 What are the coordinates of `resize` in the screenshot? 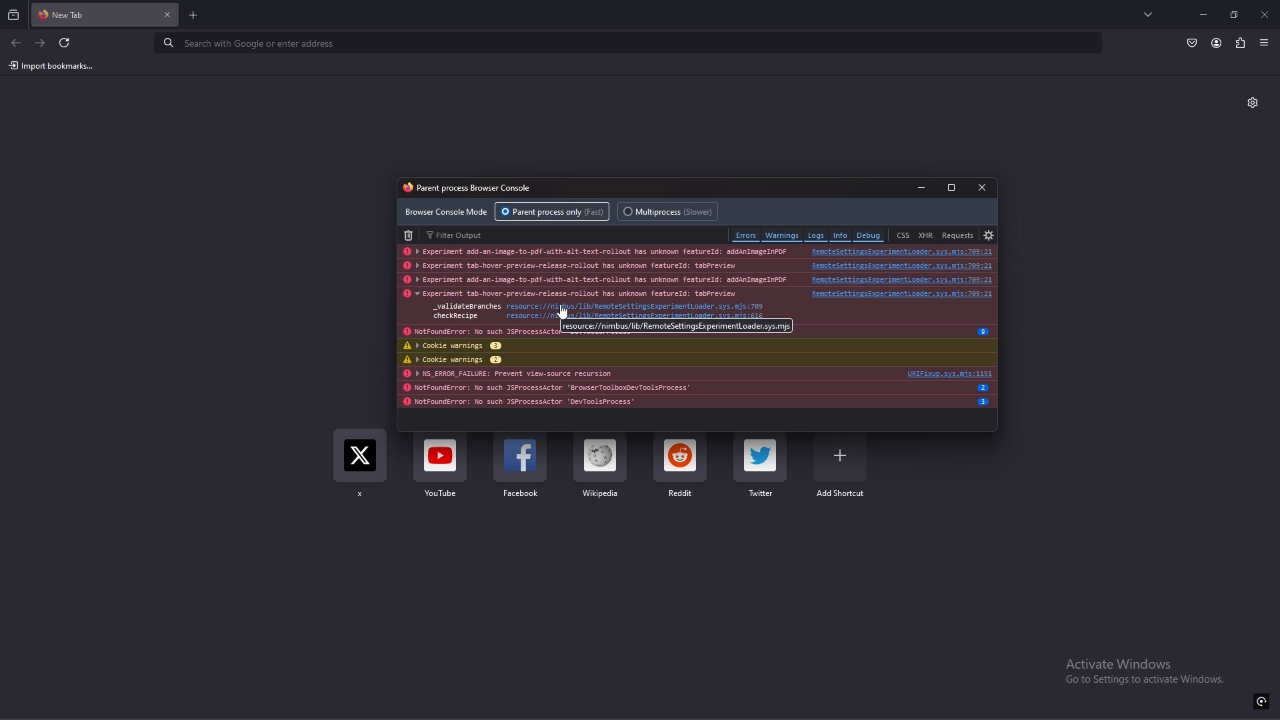 It's located at (1234, 14).